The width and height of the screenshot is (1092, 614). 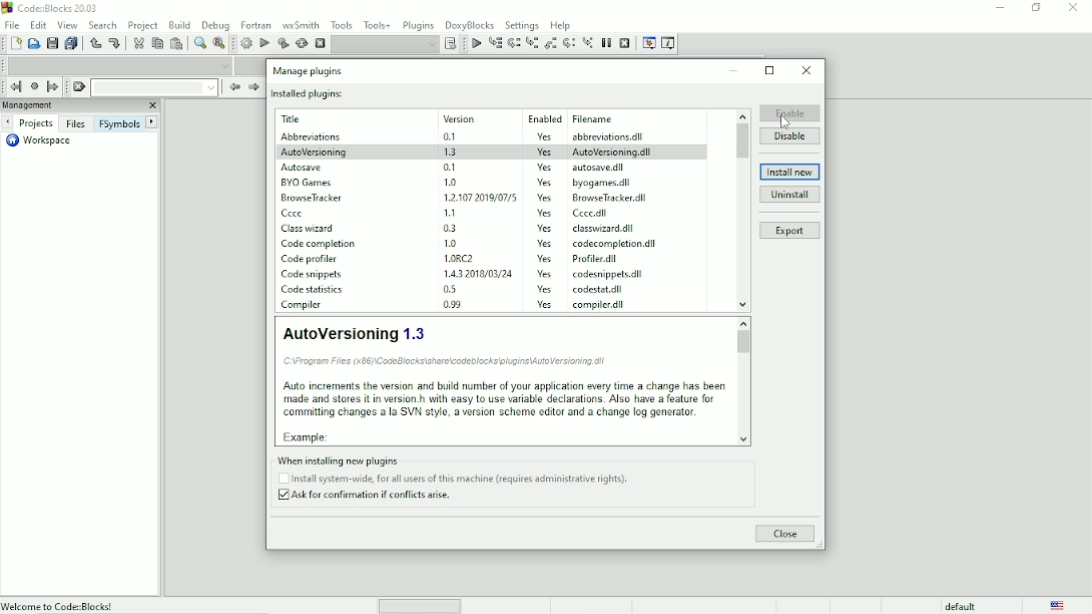 I want to click on Disable, so click(x=791, y=135).